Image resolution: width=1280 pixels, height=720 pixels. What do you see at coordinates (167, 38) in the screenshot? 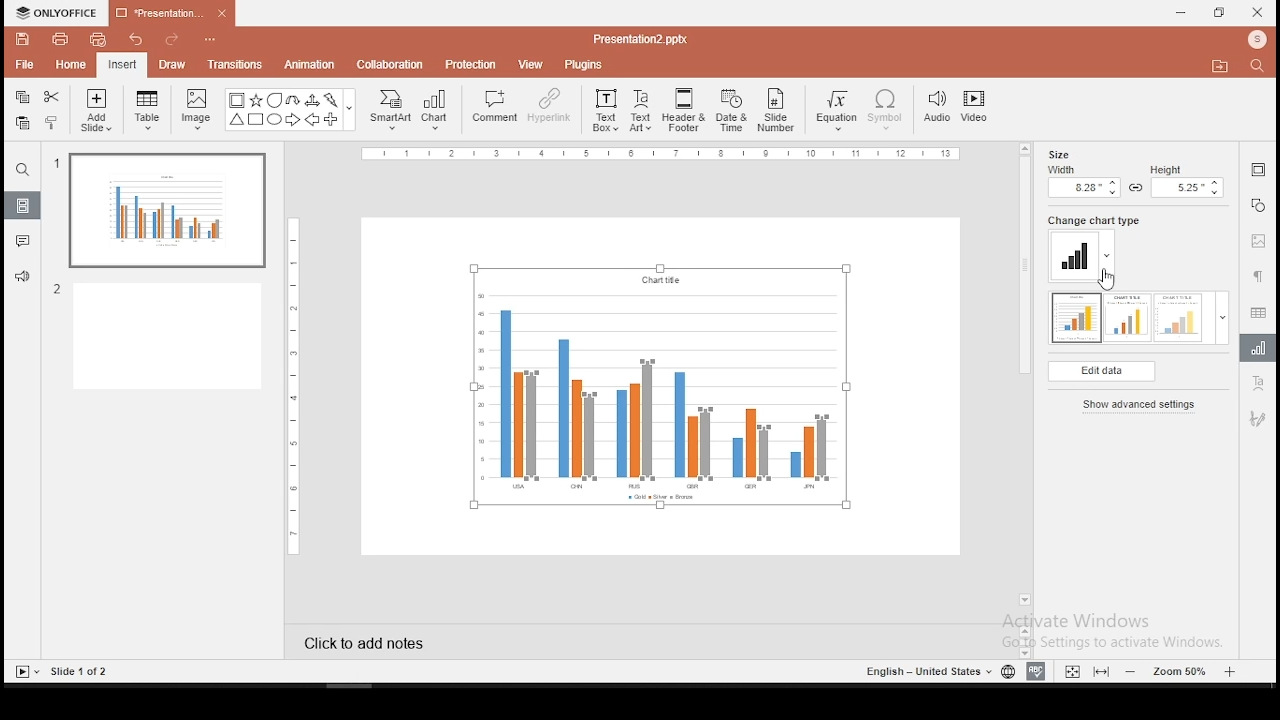
I see `redo` at bounding box center [167, 38].